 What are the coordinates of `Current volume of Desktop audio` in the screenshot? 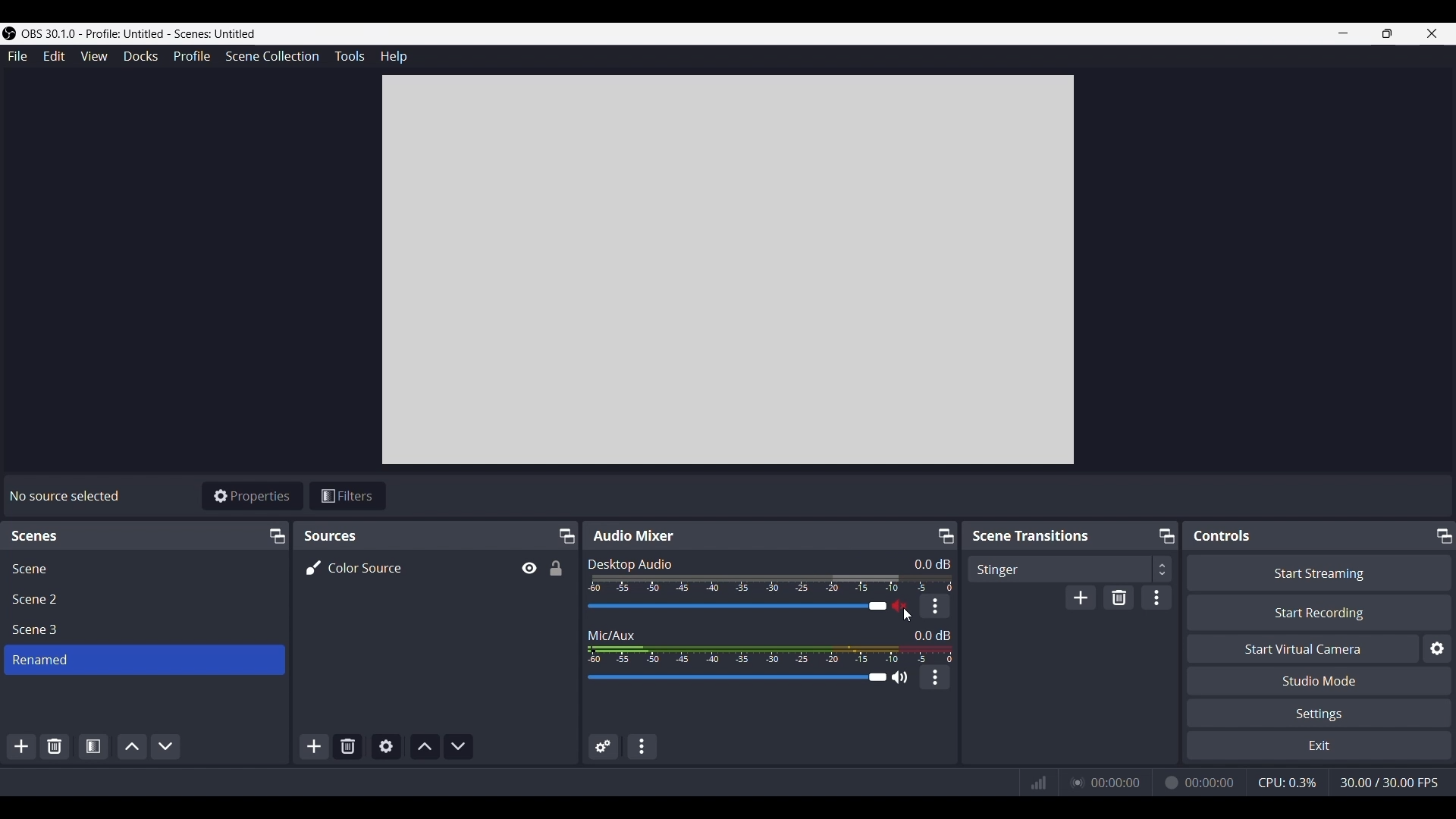 It's located at (932, 564).